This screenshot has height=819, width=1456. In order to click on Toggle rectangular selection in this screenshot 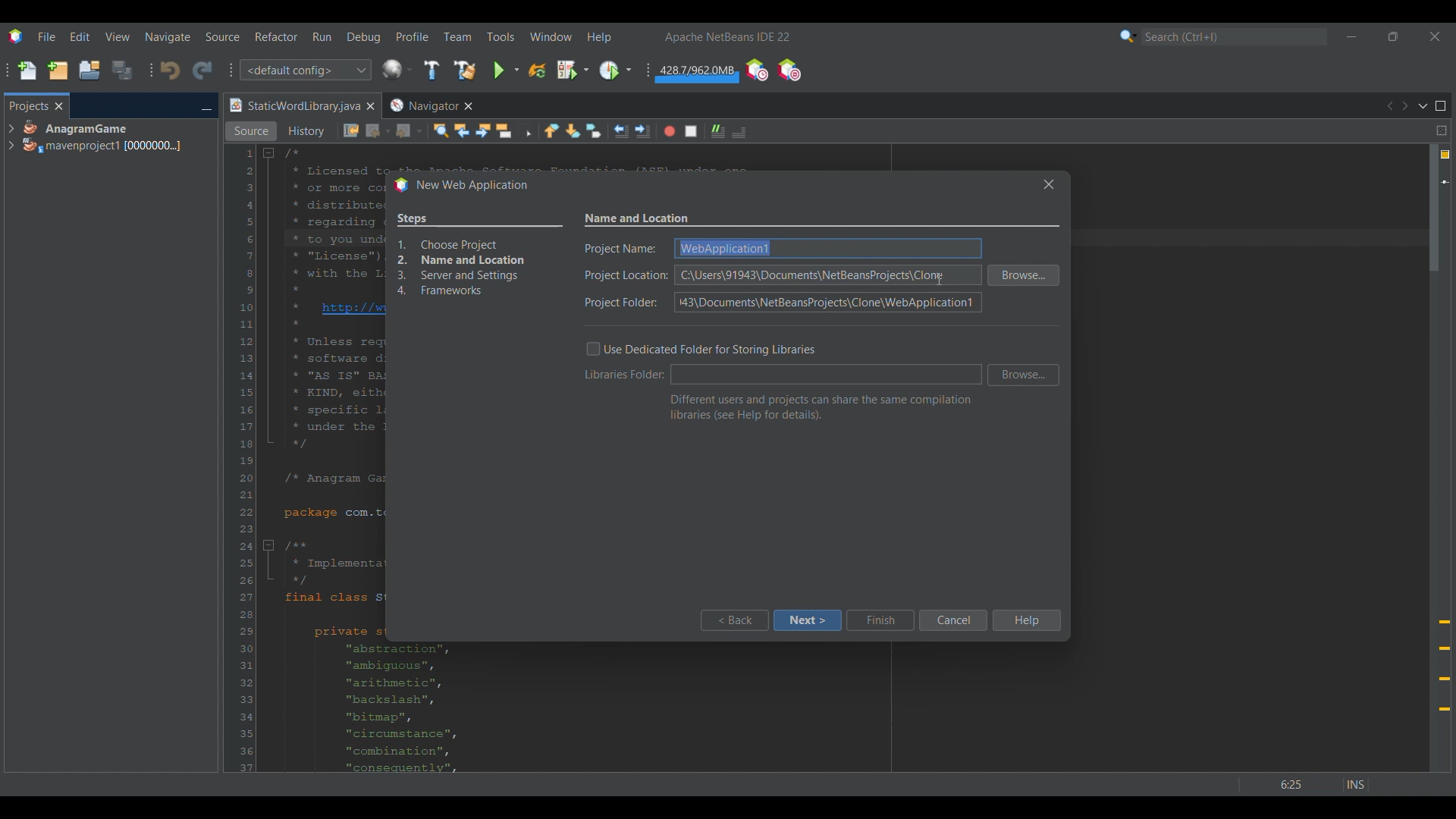, I will do `click(525, 130)`.